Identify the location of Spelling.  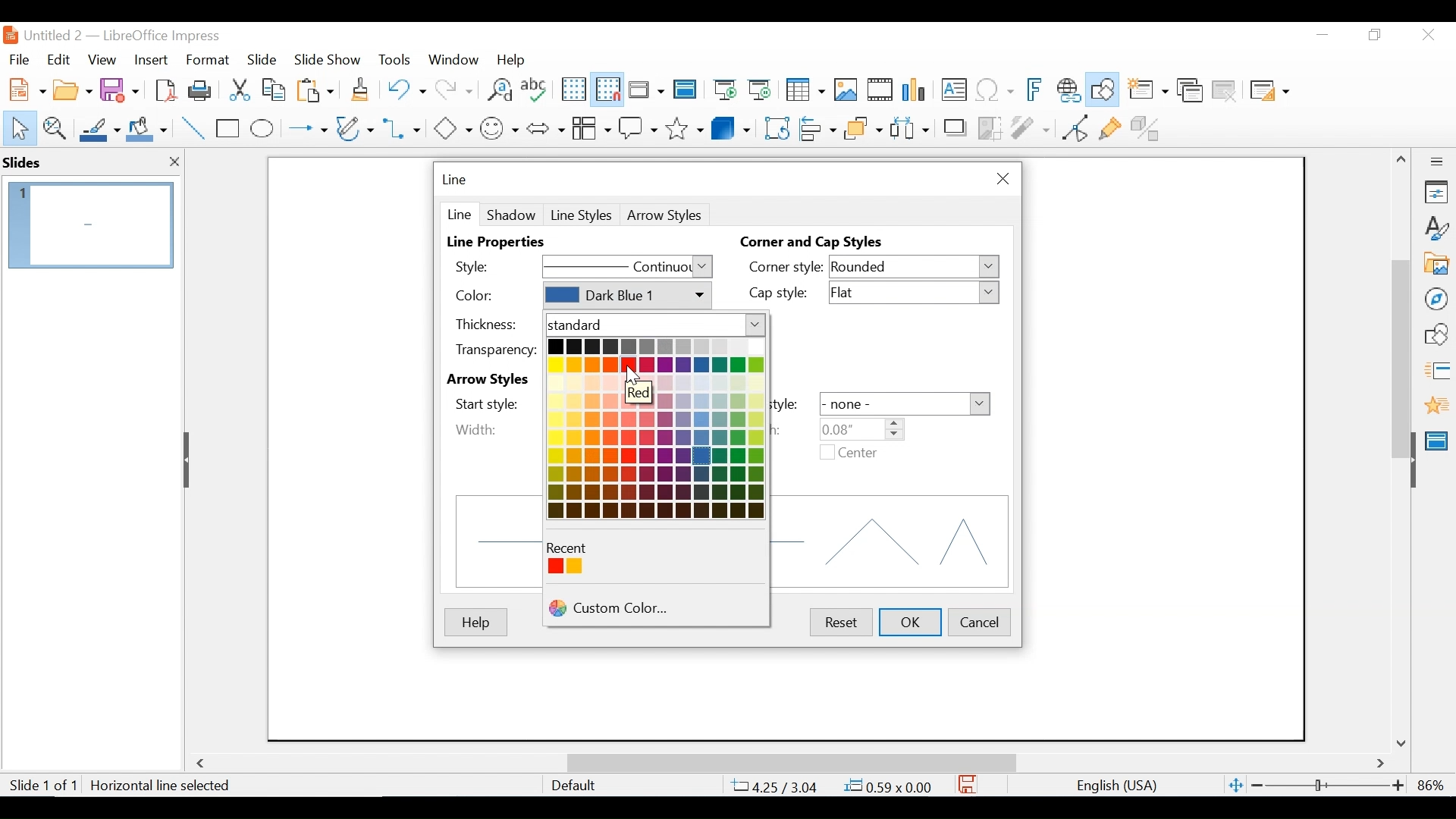
(536, 89).